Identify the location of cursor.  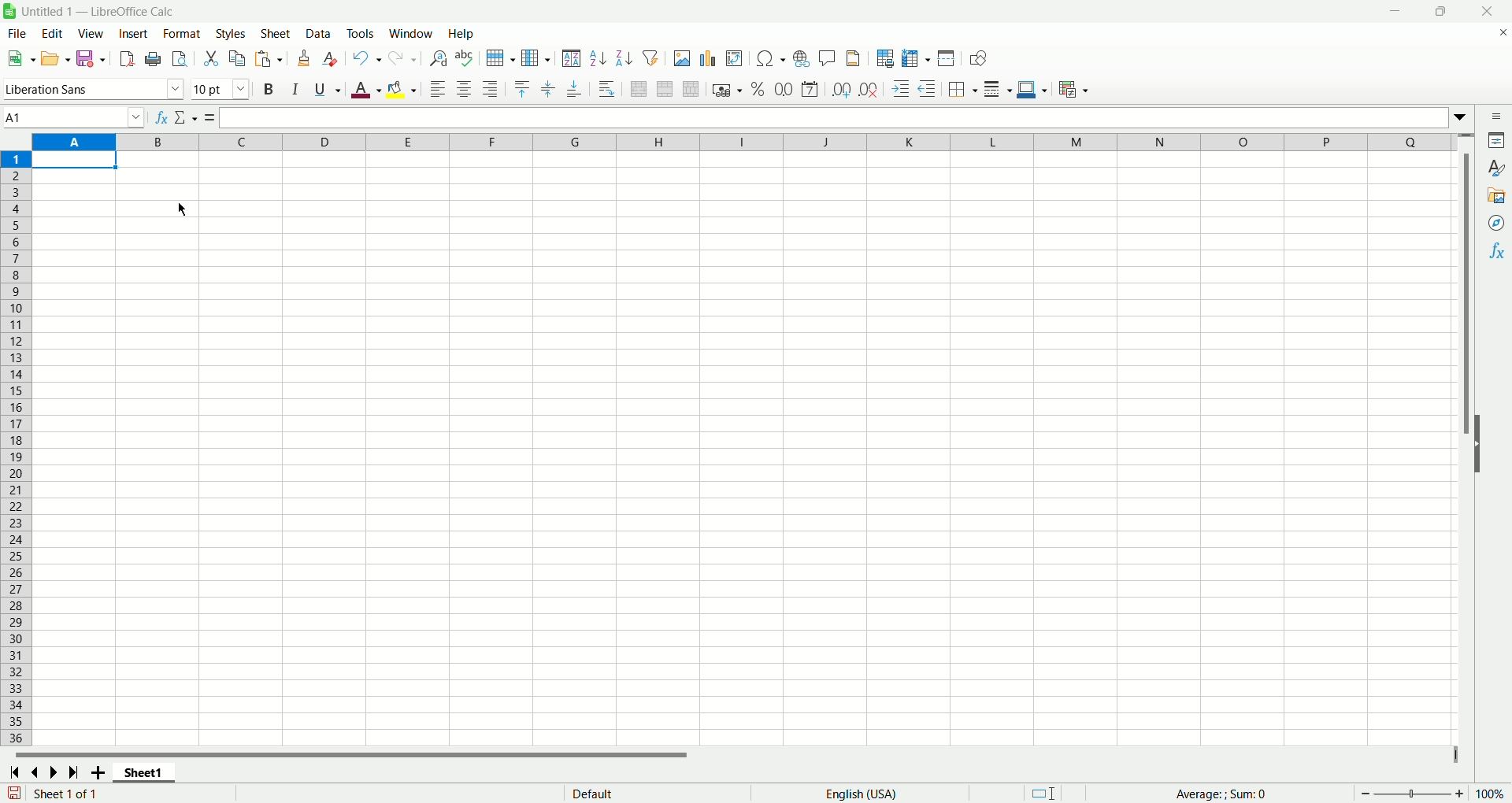
(182, 208).